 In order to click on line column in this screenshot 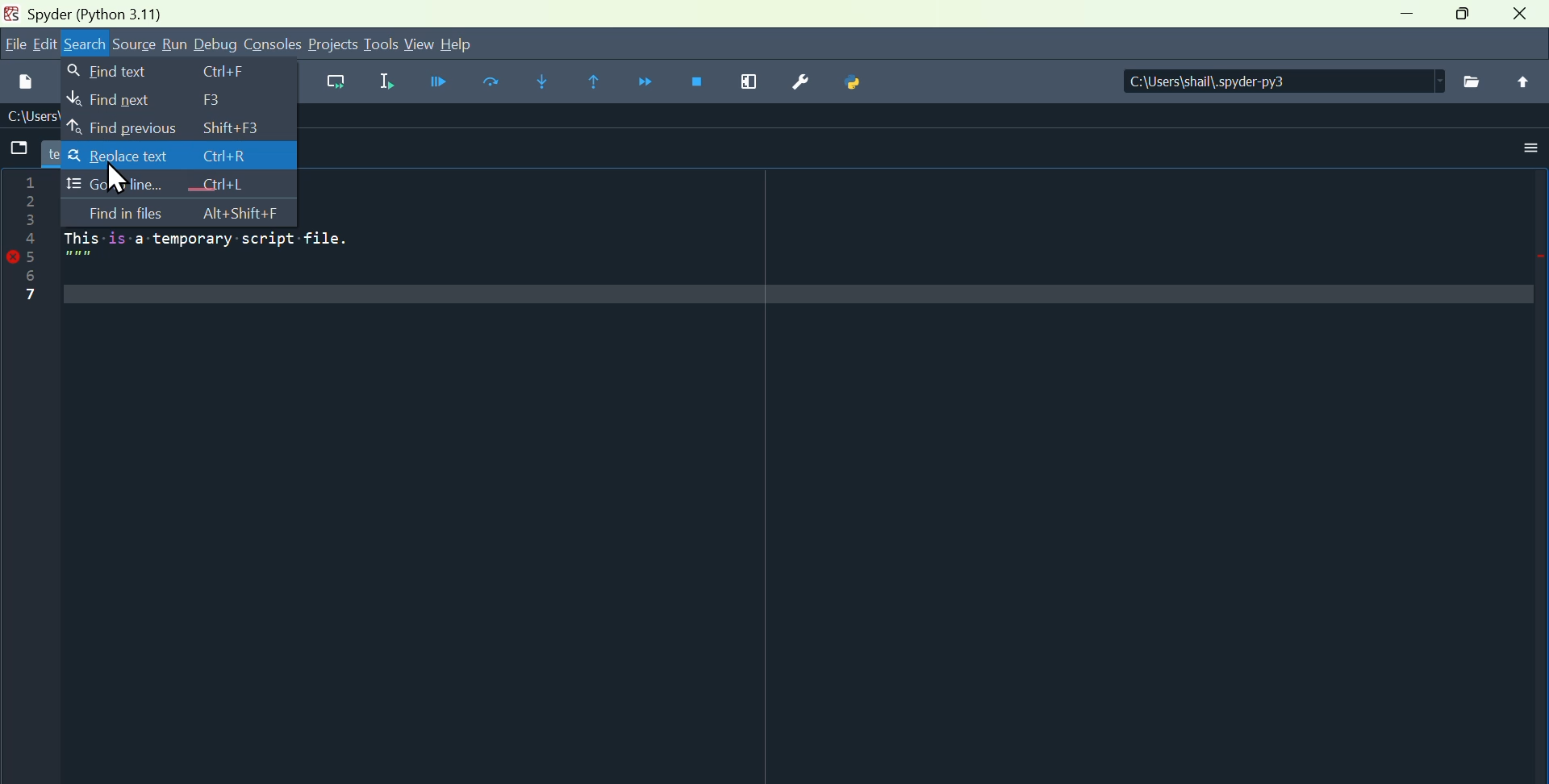, I will do `click(31, 473)`.